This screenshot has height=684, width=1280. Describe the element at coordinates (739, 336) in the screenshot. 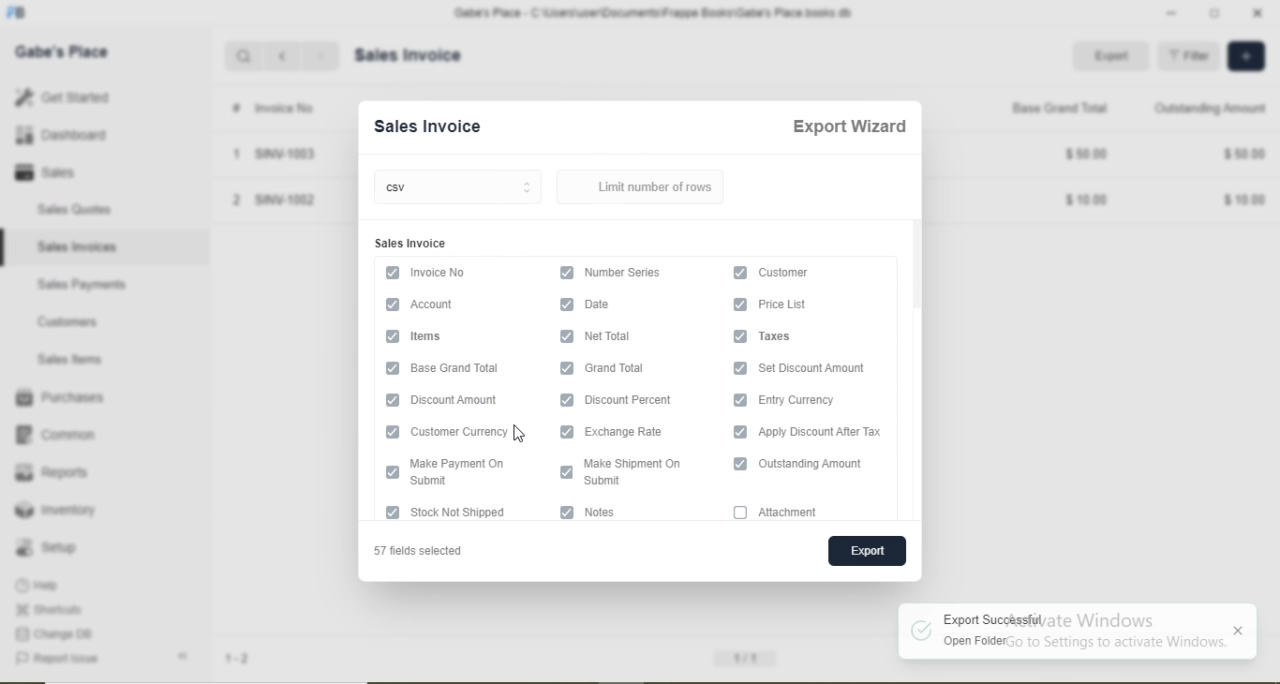

I see `checkbox` at that location.